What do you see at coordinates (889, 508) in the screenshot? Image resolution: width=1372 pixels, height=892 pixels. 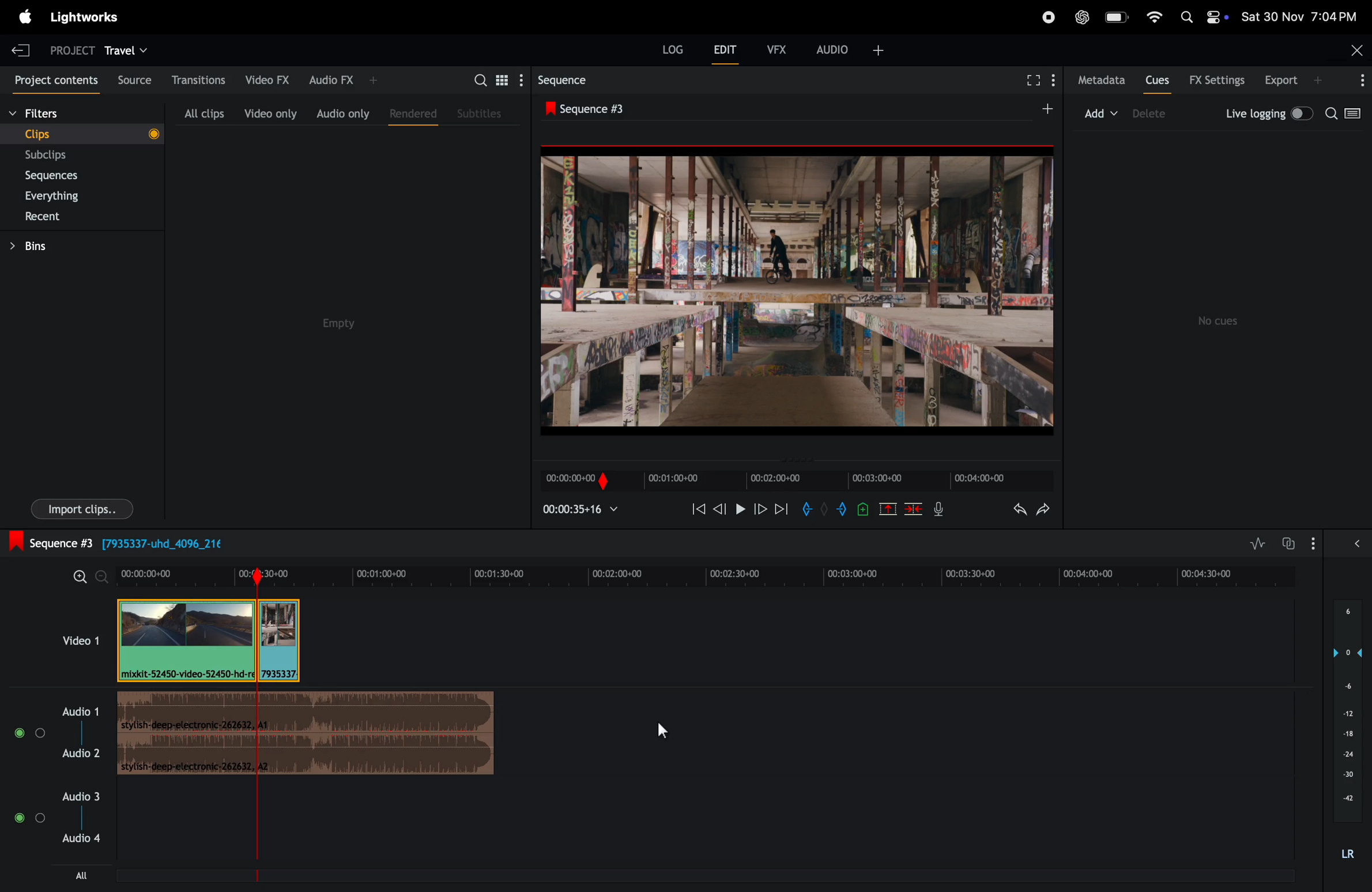 I see `` at bounding box center [889, 508].